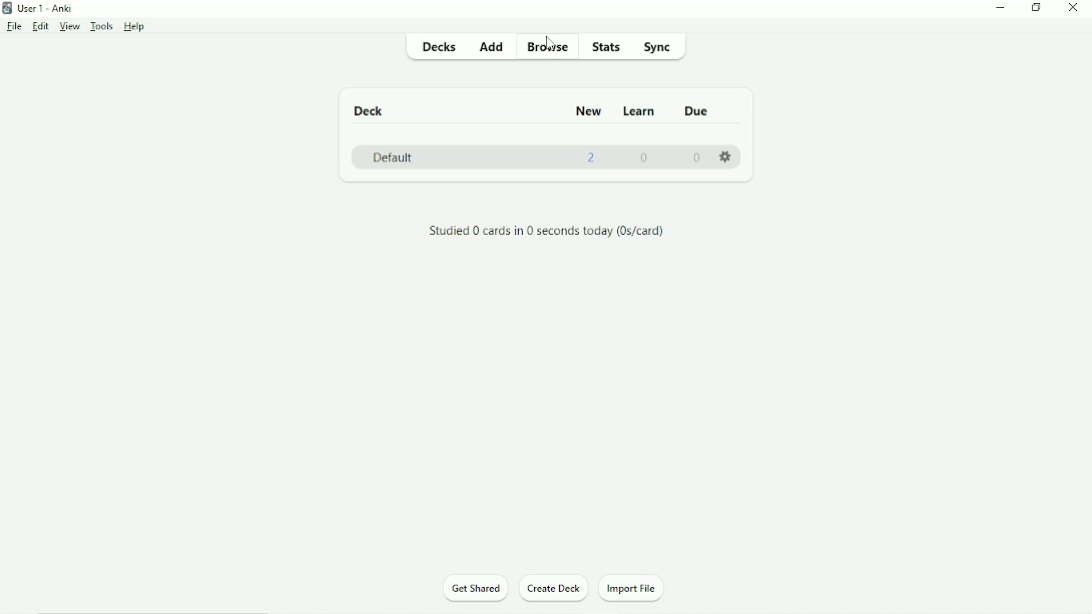  Describe the element at coordinates (102, 26) in the screenshot. I see `Tools` at that location.